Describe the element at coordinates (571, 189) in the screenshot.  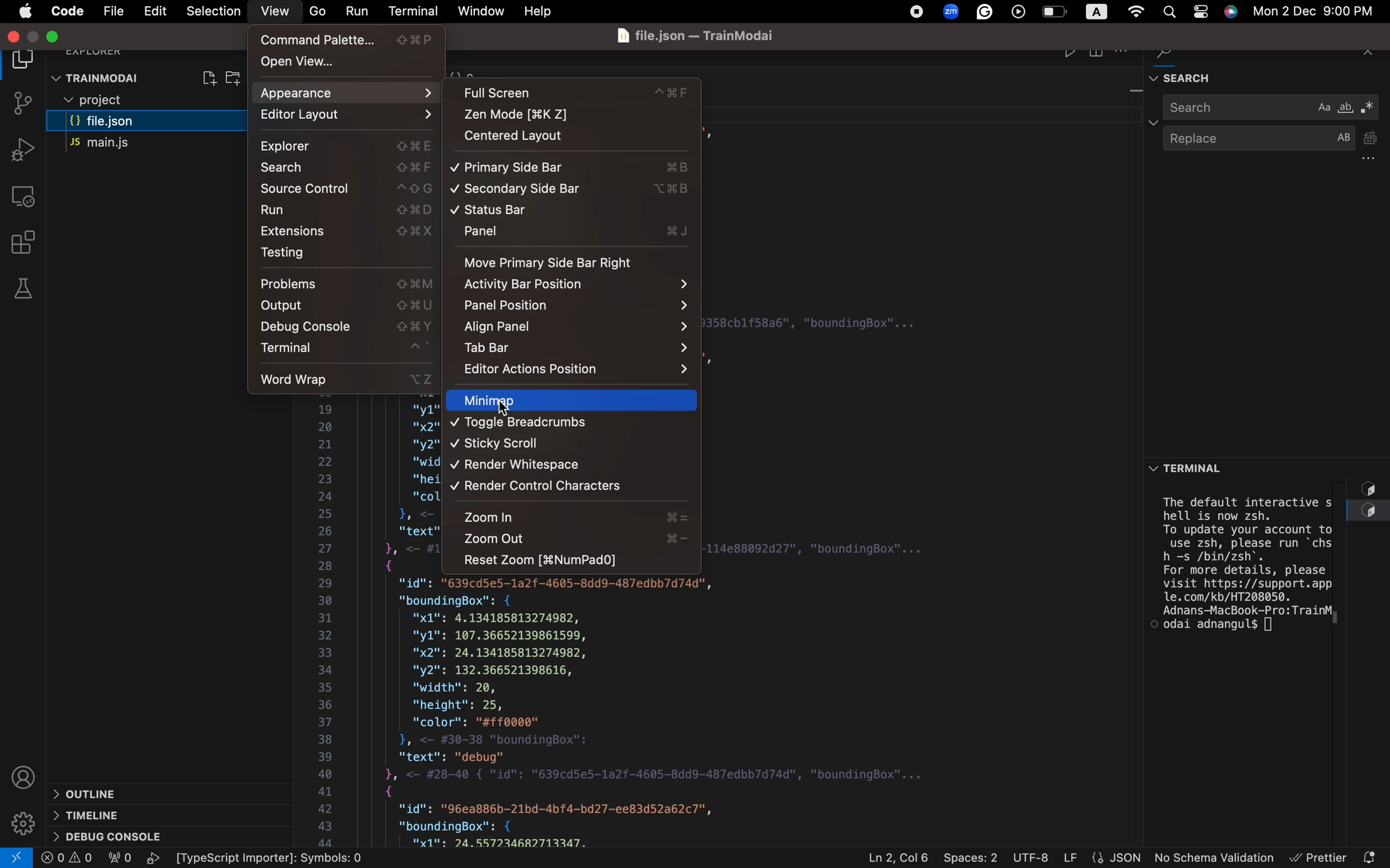
I see `secondary sidebar` at that location.